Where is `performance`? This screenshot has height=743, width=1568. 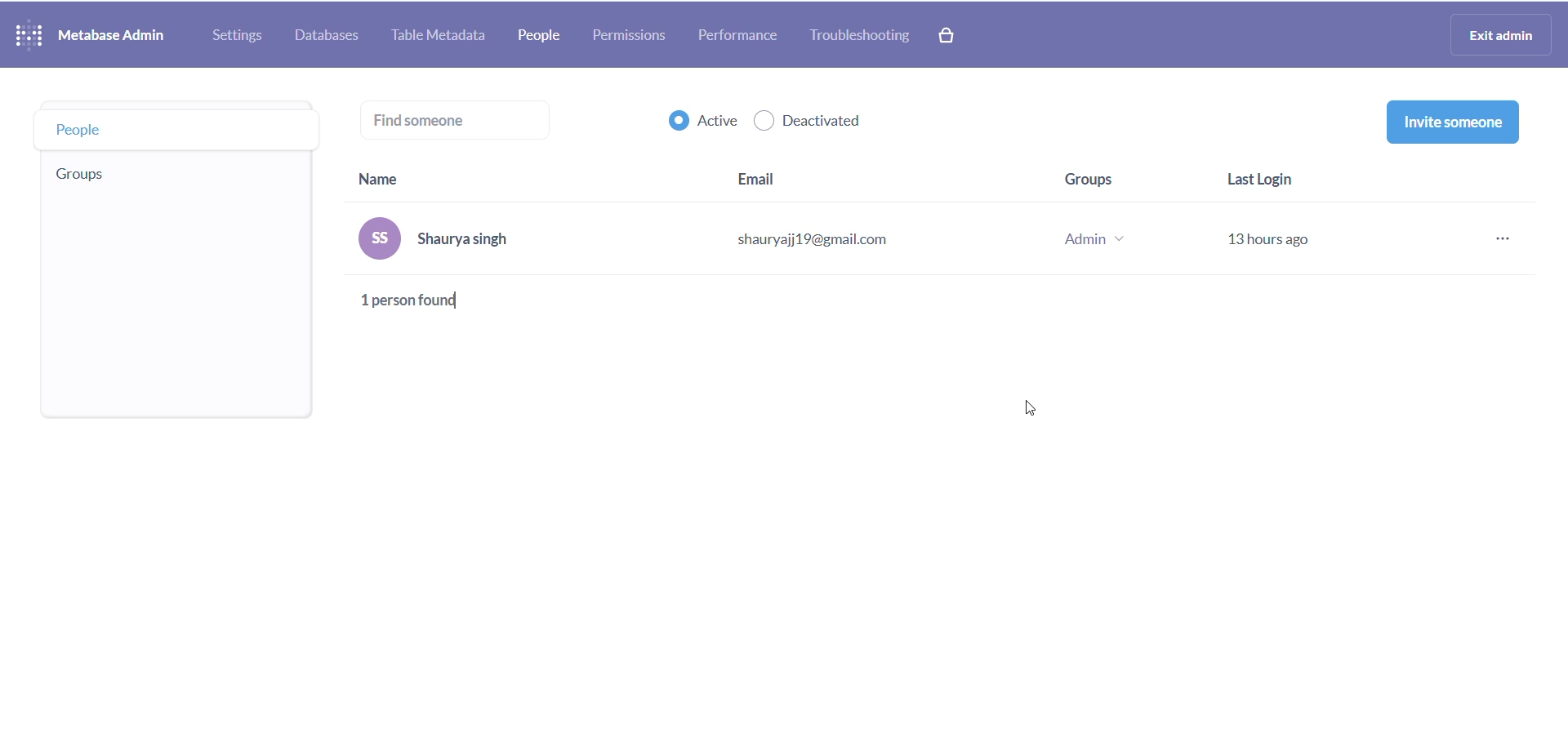
performance is located at coordinates (737, 35).